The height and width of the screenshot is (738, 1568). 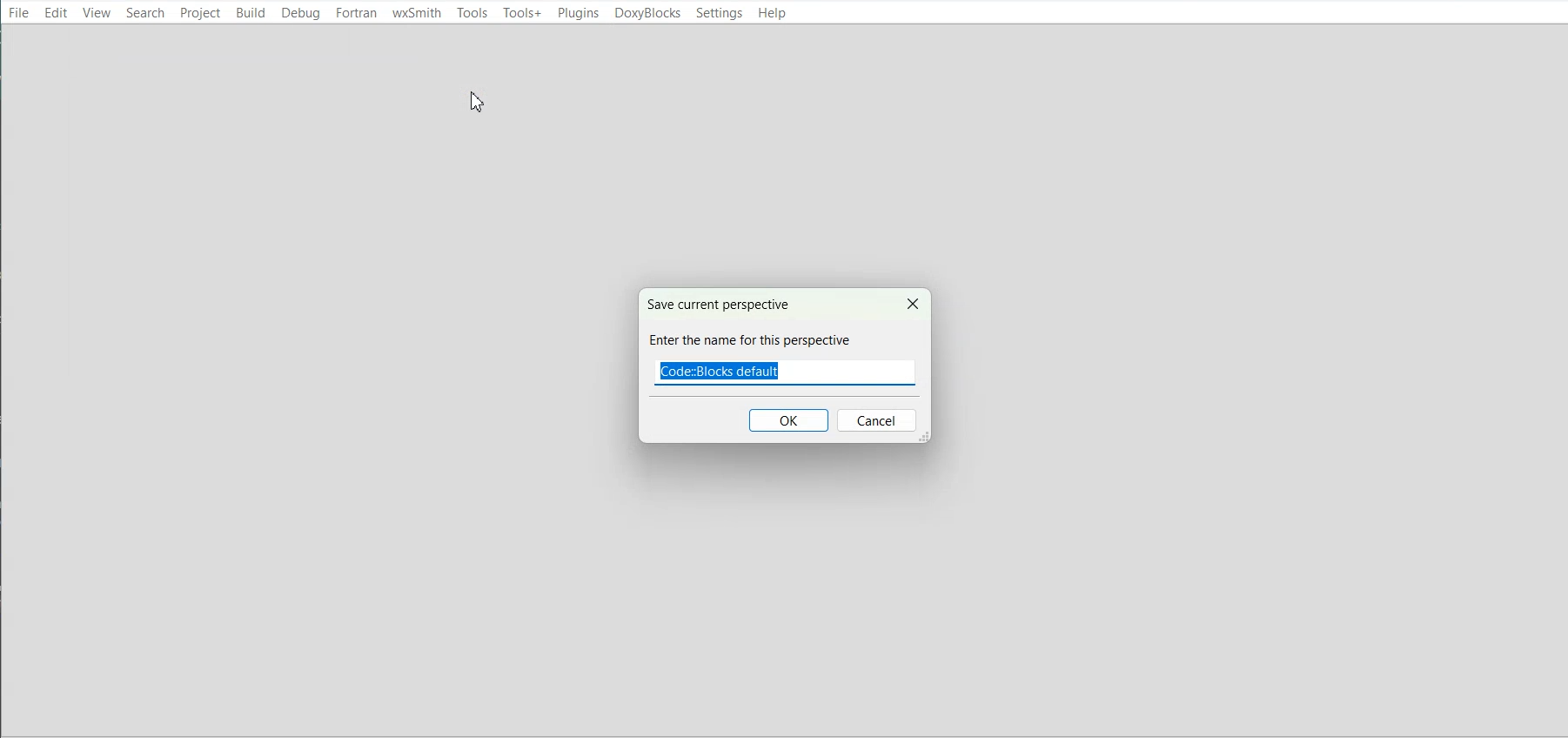 What do you see at coordinates (783, 372) in the screenshot?
I see `Enter name for theme file` at bounding box center [783, 372].